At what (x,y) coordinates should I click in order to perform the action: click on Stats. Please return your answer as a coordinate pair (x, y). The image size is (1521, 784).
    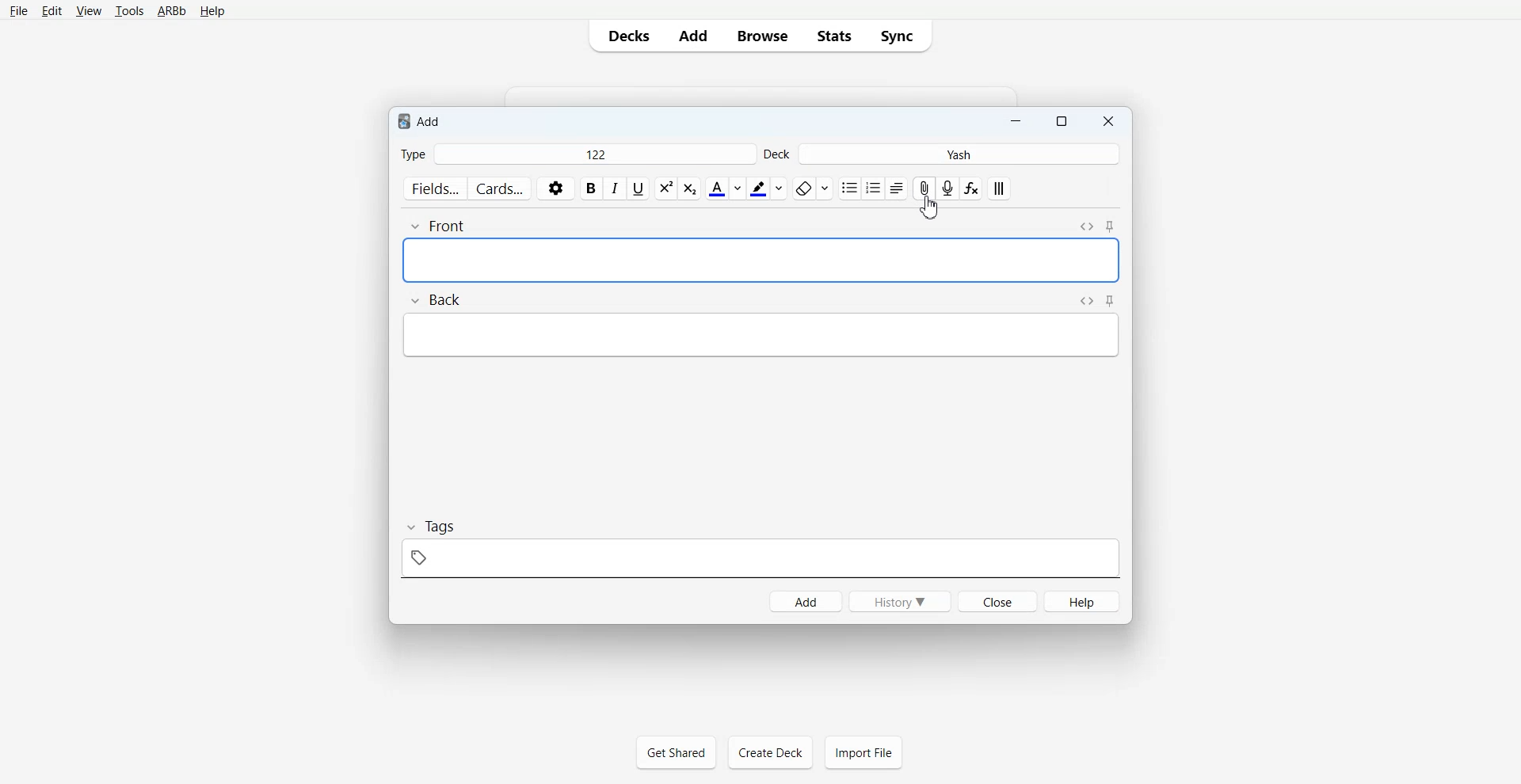
    Looking at the image, I should click on (833, 36).